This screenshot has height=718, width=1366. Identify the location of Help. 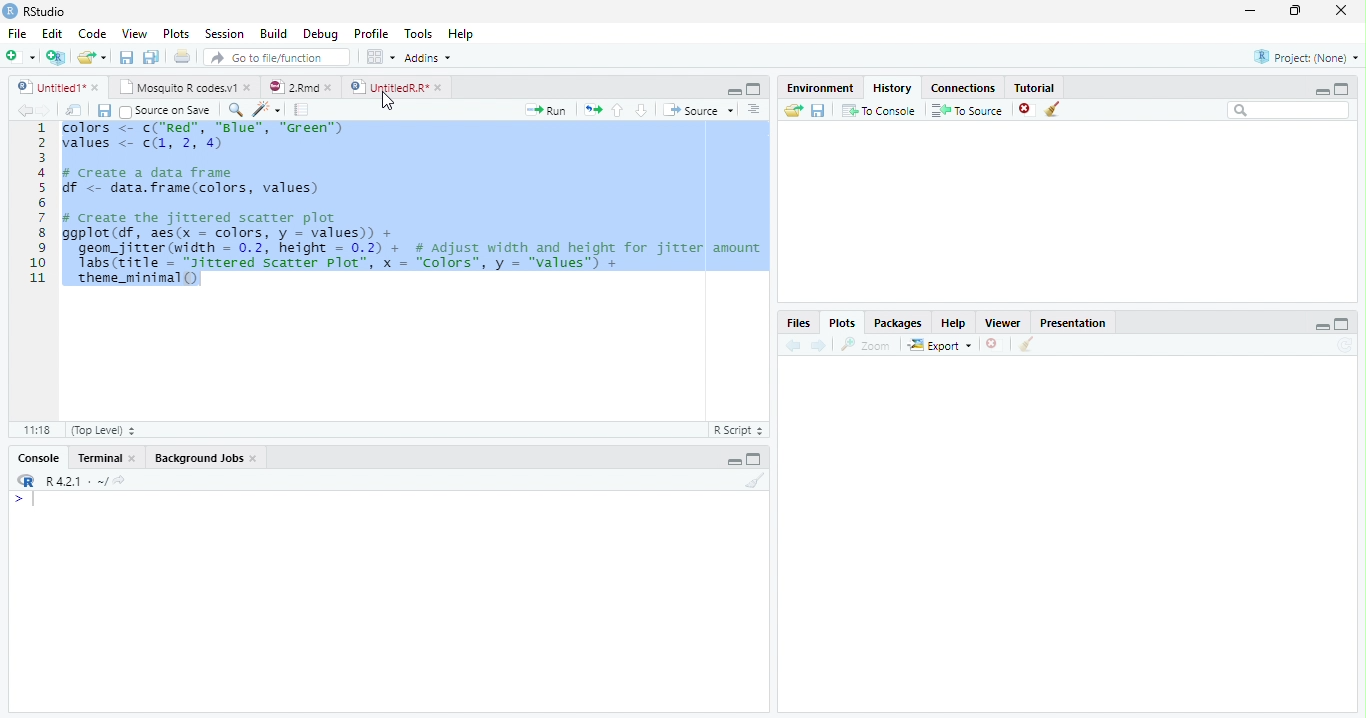
(461, 33).